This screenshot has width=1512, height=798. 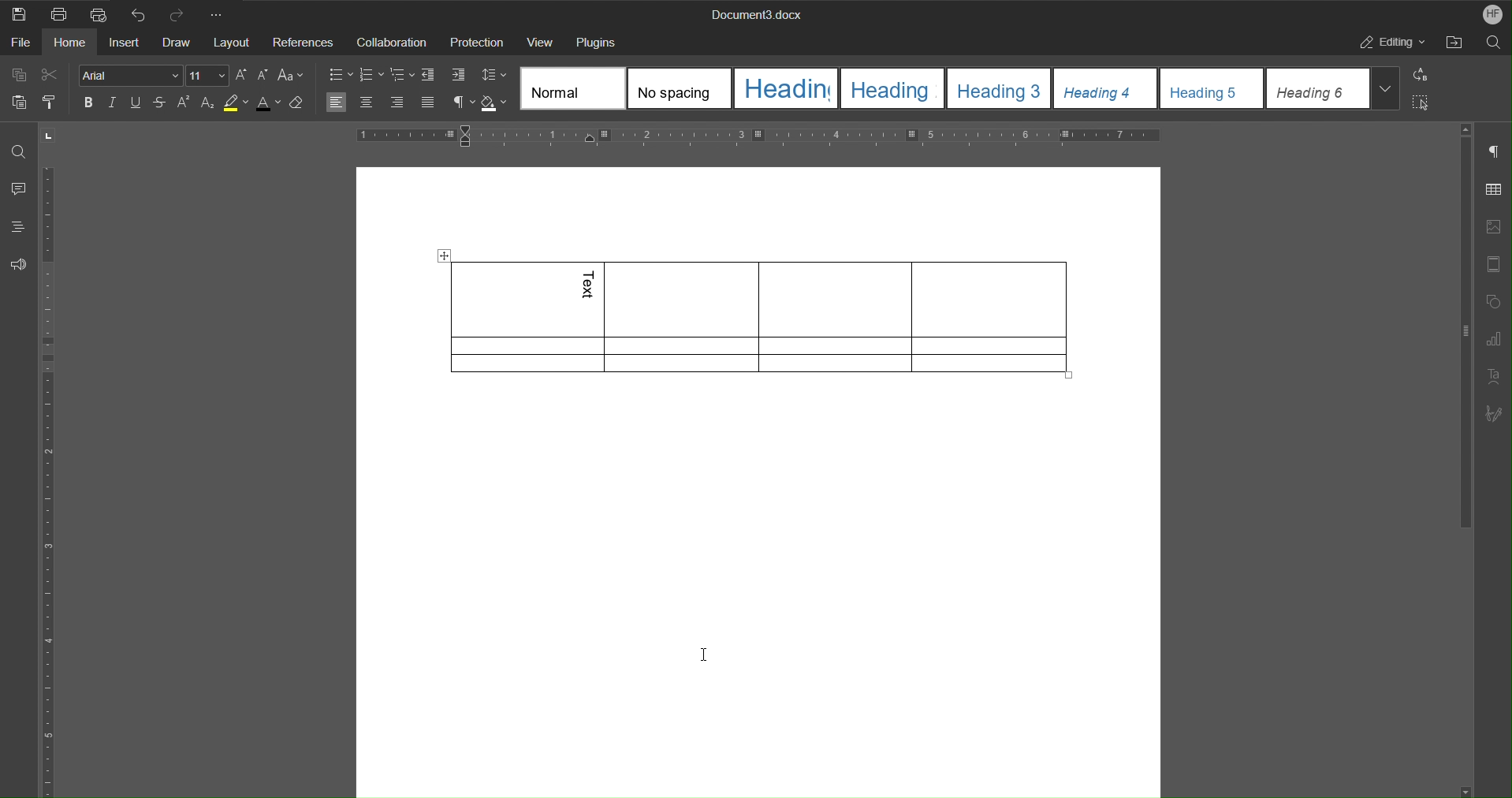 What do you see at coordinates (1489, 13) in the screenshot?
I see `Account` at bounding box center [1489, 13].